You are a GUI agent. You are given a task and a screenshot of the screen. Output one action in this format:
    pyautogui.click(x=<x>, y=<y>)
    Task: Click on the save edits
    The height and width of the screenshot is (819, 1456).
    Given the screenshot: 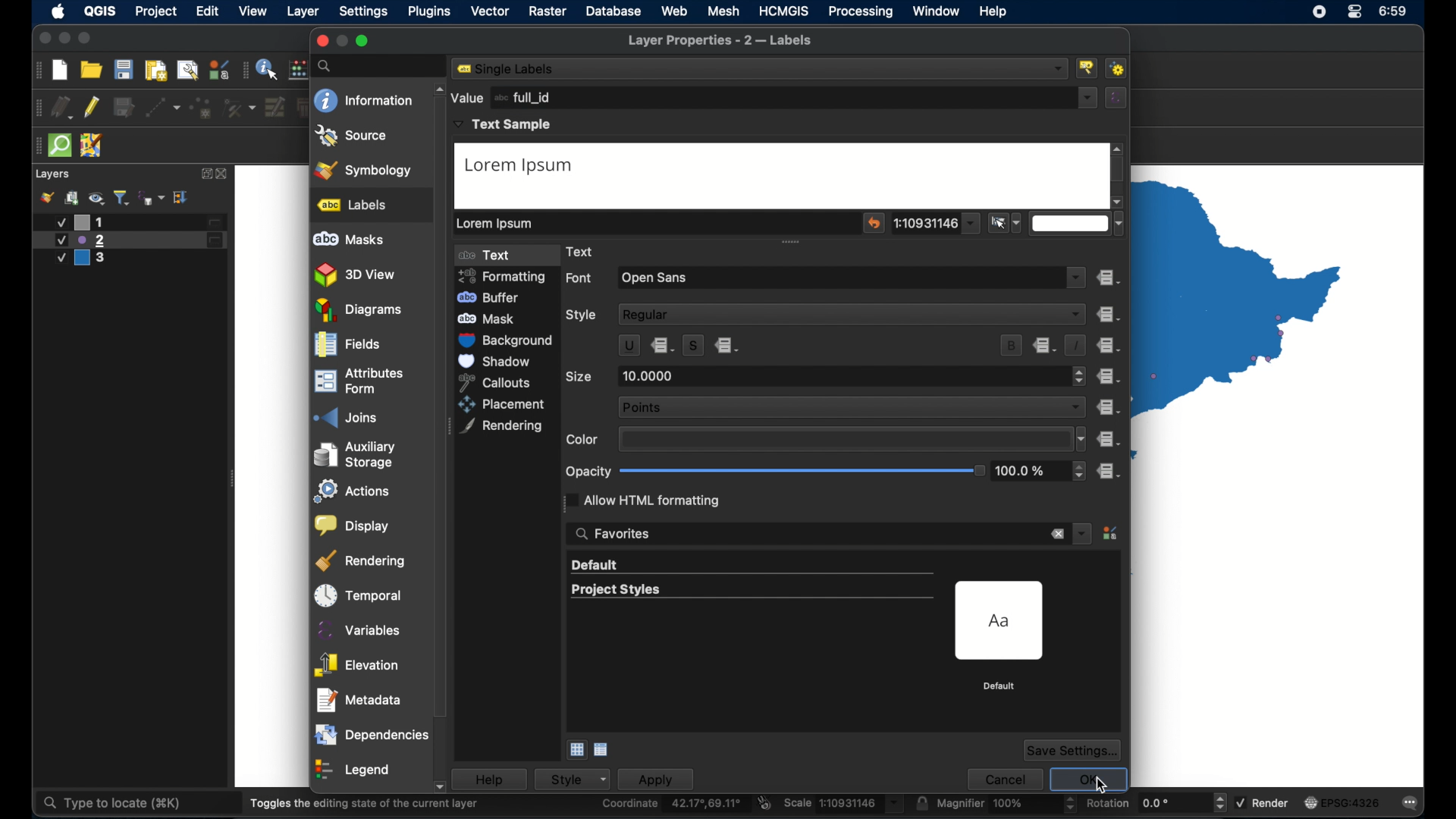 What is the action you would take?
    pyautogui.click(x=124, y=107)
    